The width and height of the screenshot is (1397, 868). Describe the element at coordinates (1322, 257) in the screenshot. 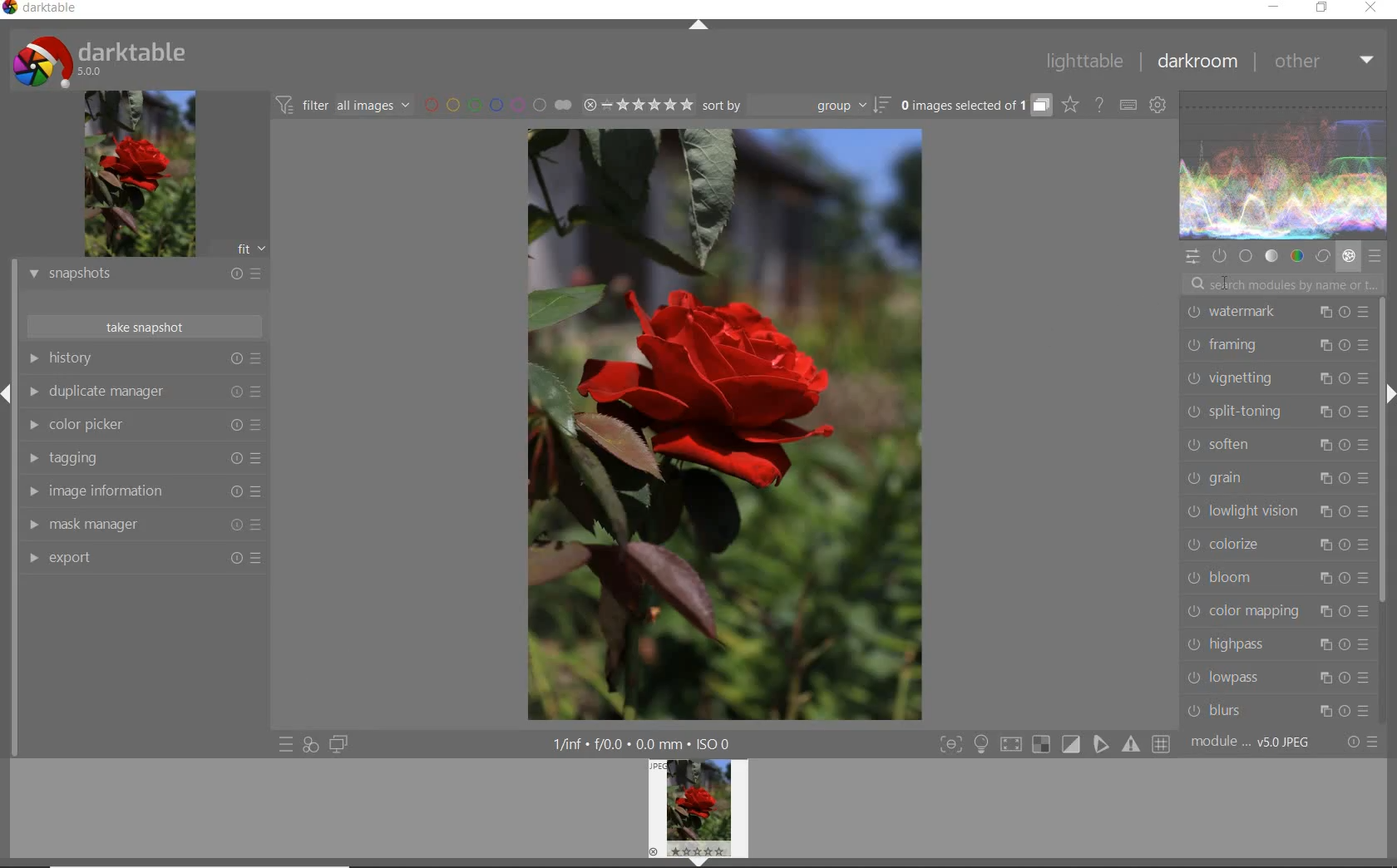

I see `correct` at that location.